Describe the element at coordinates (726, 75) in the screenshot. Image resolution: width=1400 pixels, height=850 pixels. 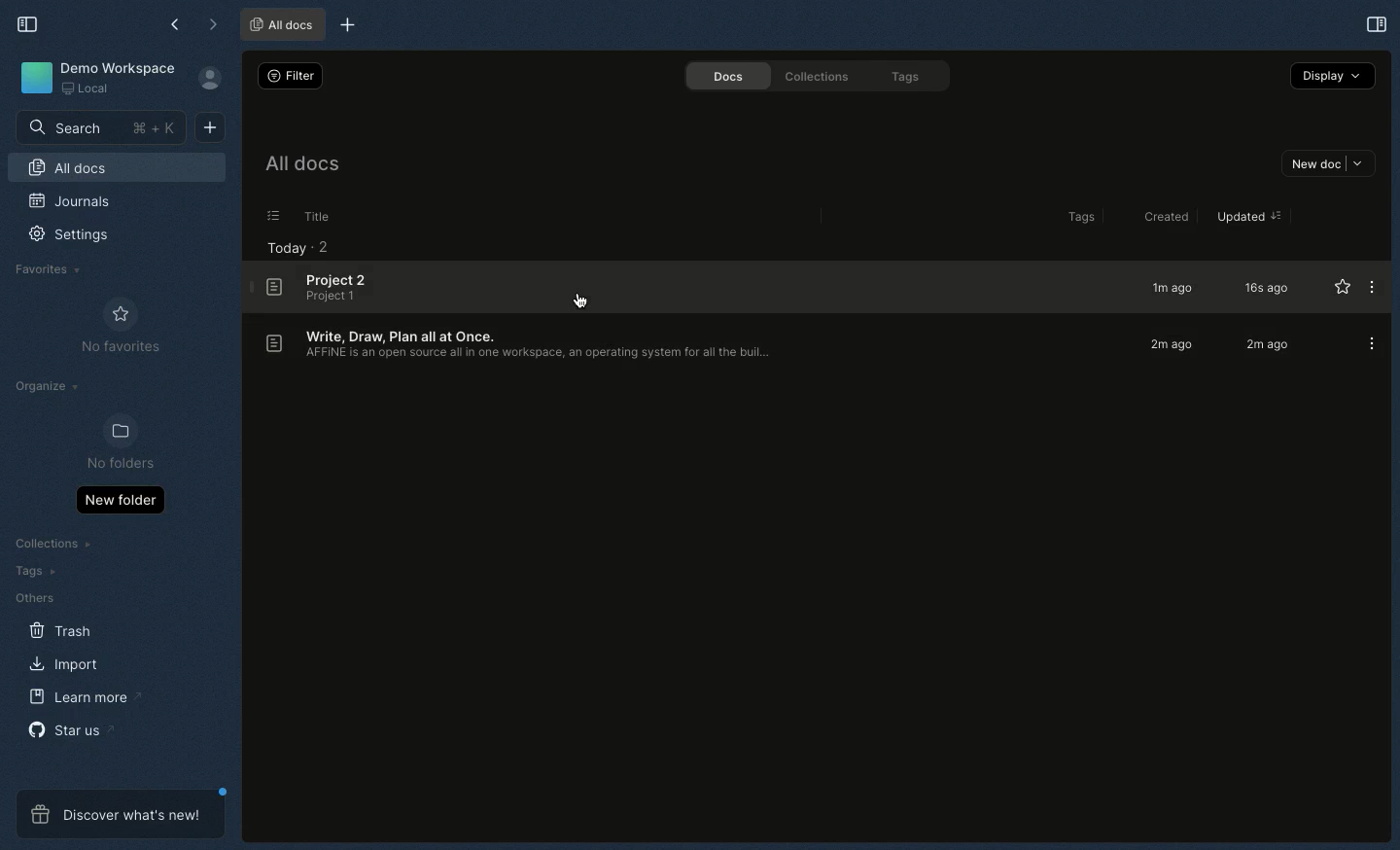
I see `Docs` at that location.